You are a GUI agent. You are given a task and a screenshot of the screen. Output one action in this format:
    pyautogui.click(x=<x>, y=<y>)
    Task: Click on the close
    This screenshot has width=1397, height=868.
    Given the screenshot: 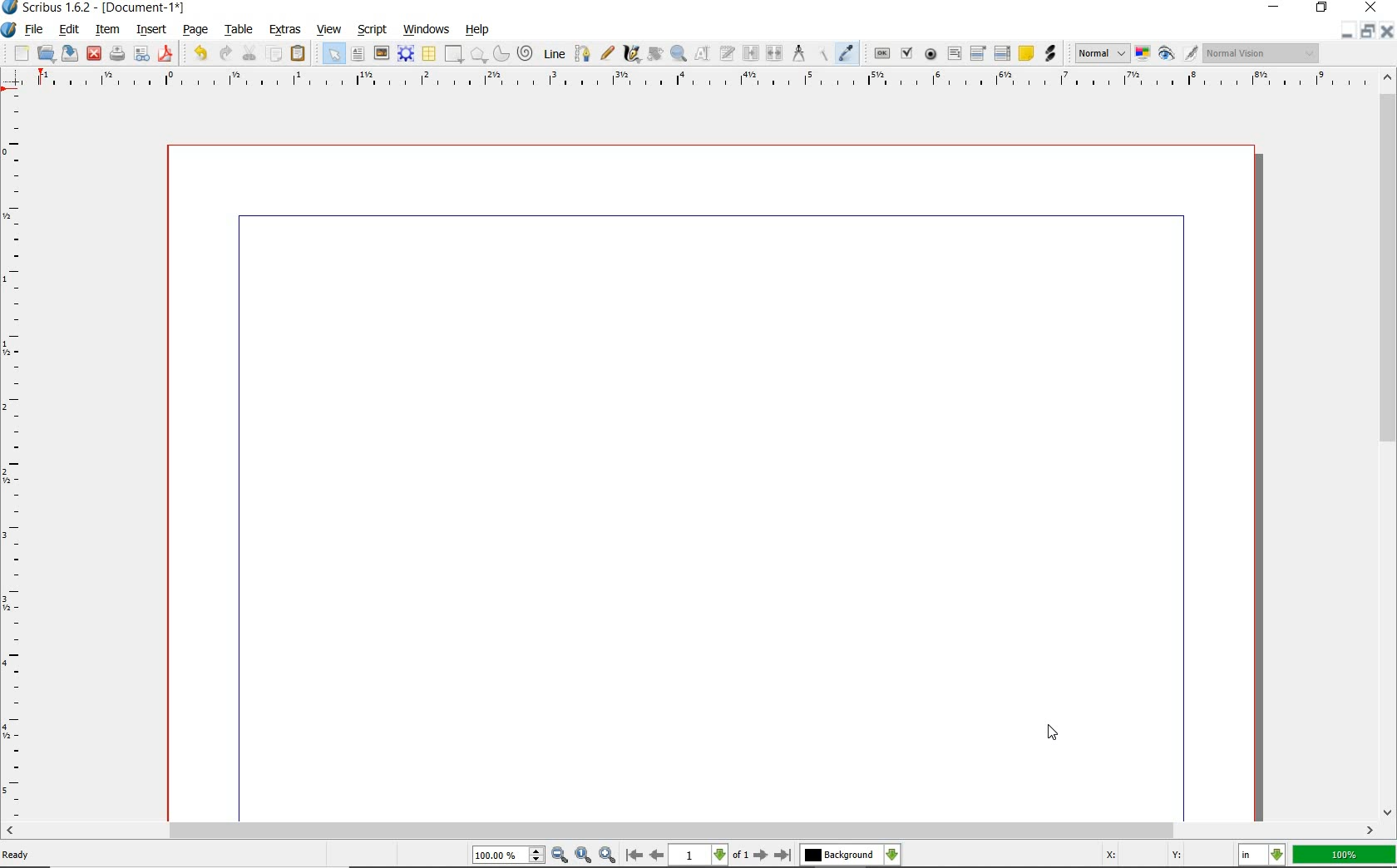 What is the action you would take?
    pyautogui.click(x=94, y=52)
    